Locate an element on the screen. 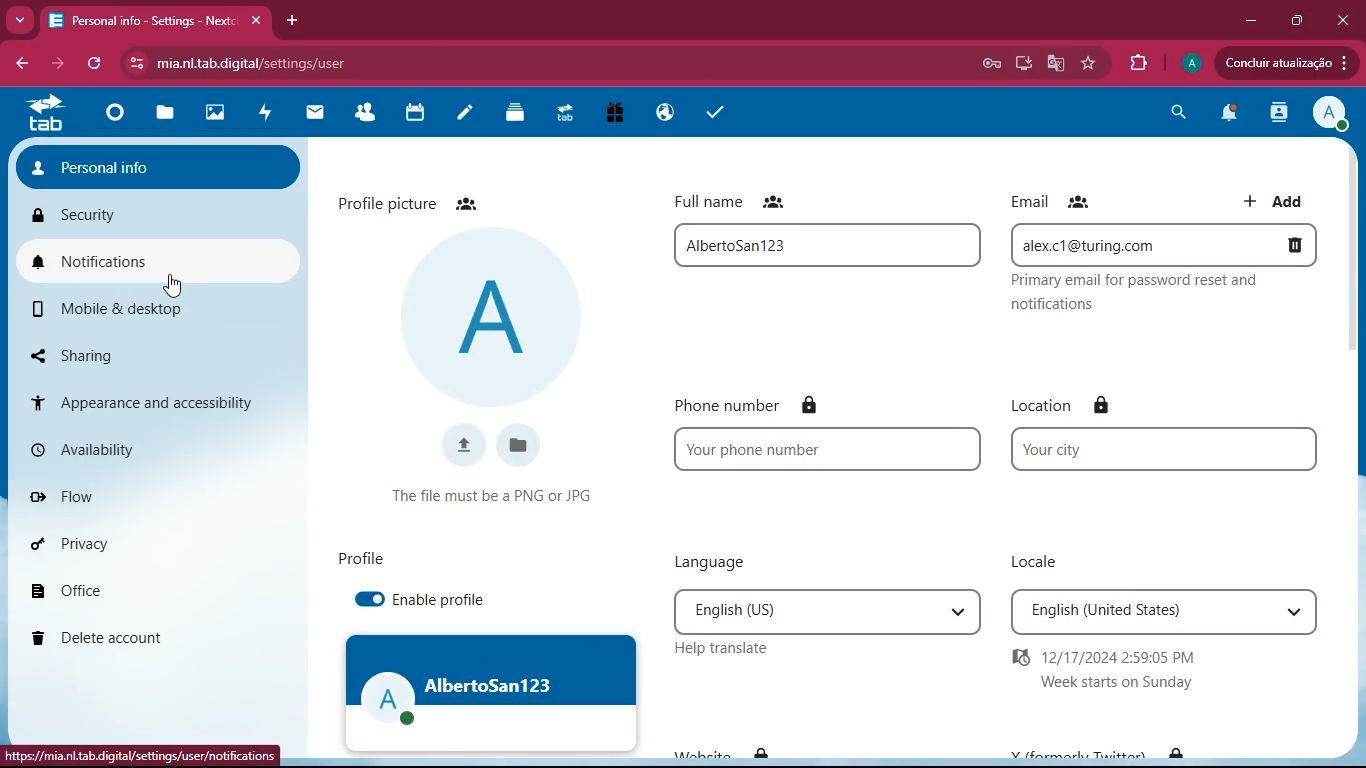  files is located at coordinates (519, 443).